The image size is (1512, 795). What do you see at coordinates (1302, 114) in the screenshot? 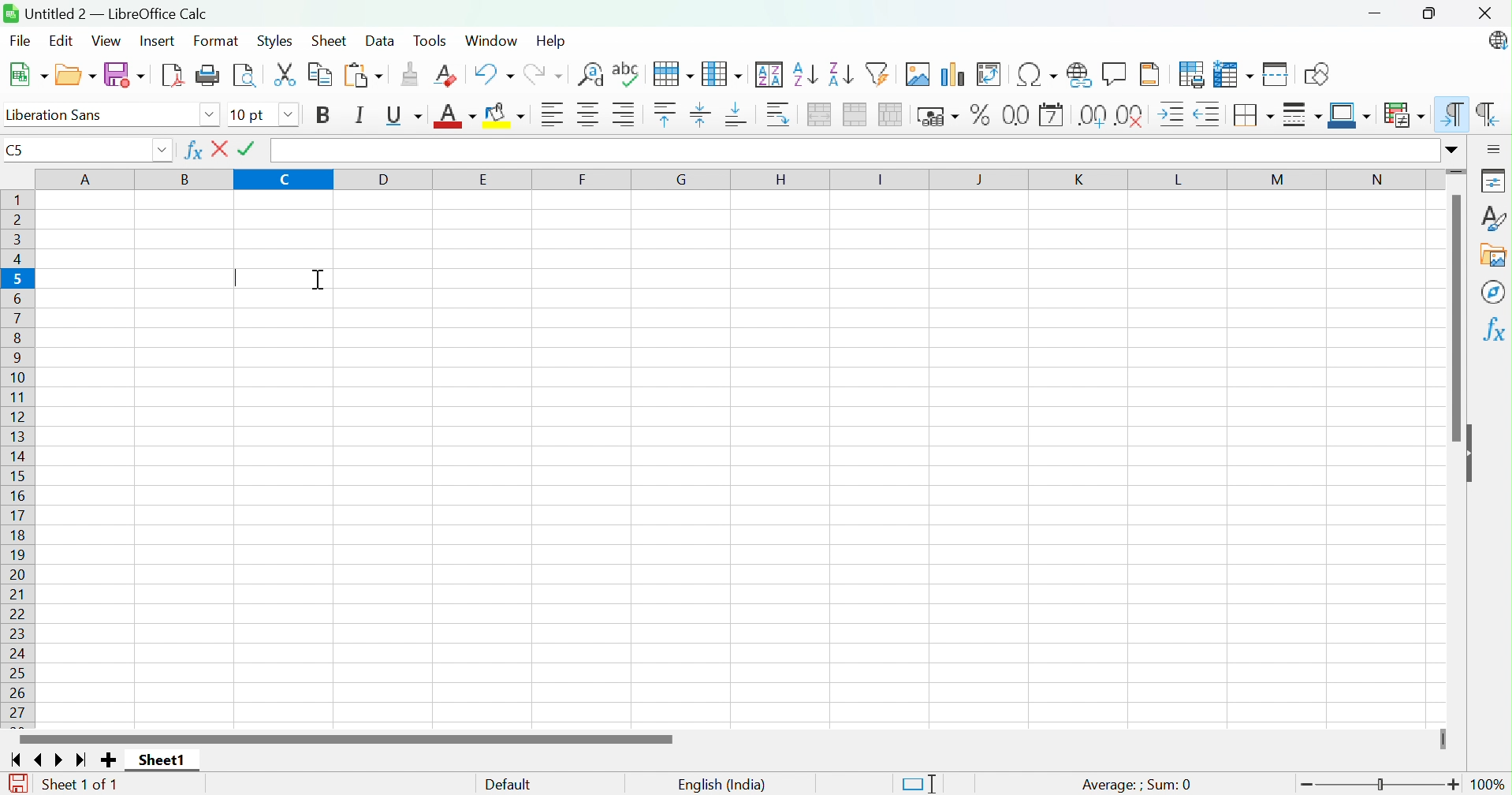
I see `Border style` at bounding box center [1302, 114].